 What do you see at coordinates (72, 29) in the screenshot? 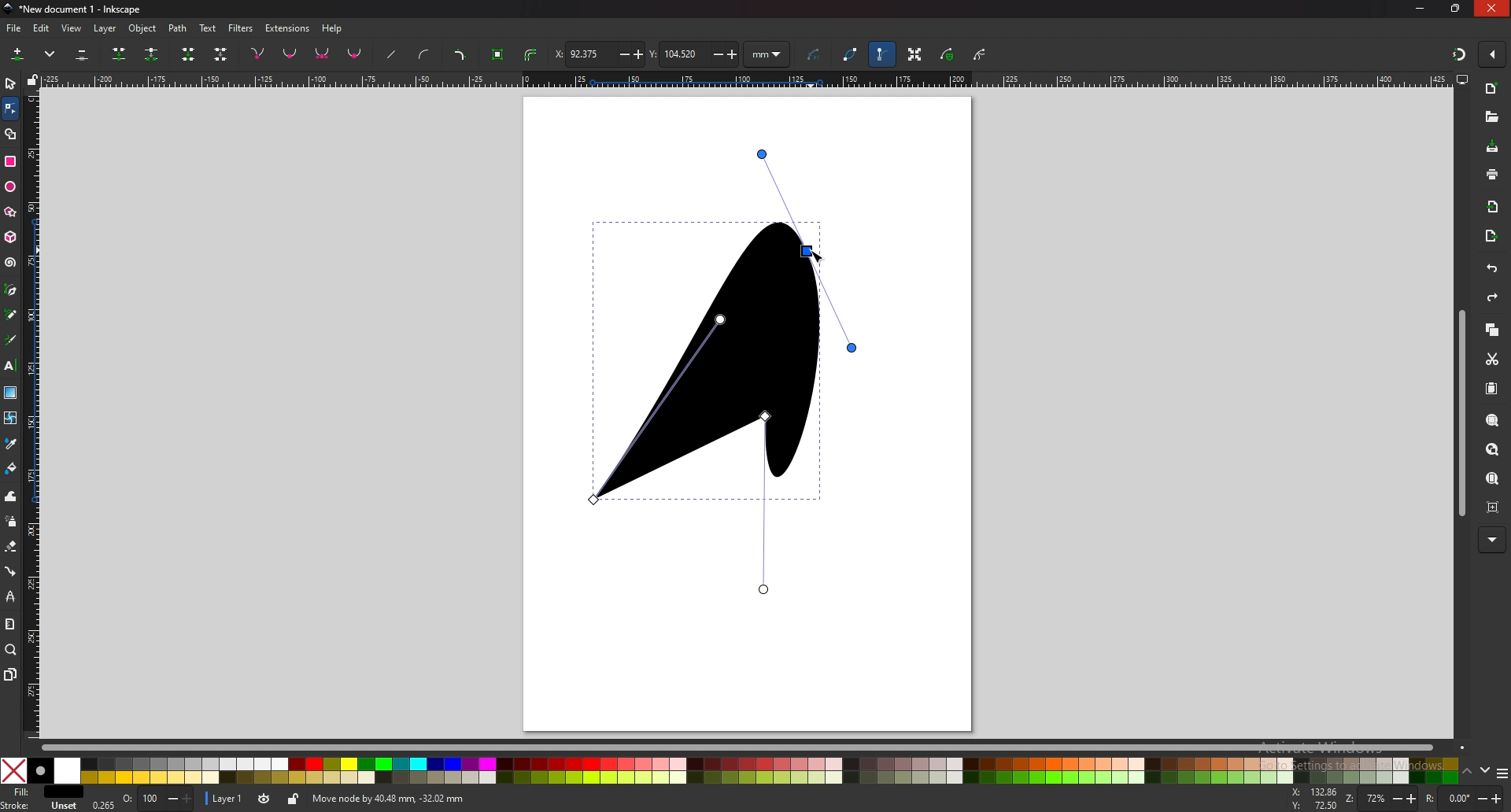
I see `view` at bounding box center [72, 29].